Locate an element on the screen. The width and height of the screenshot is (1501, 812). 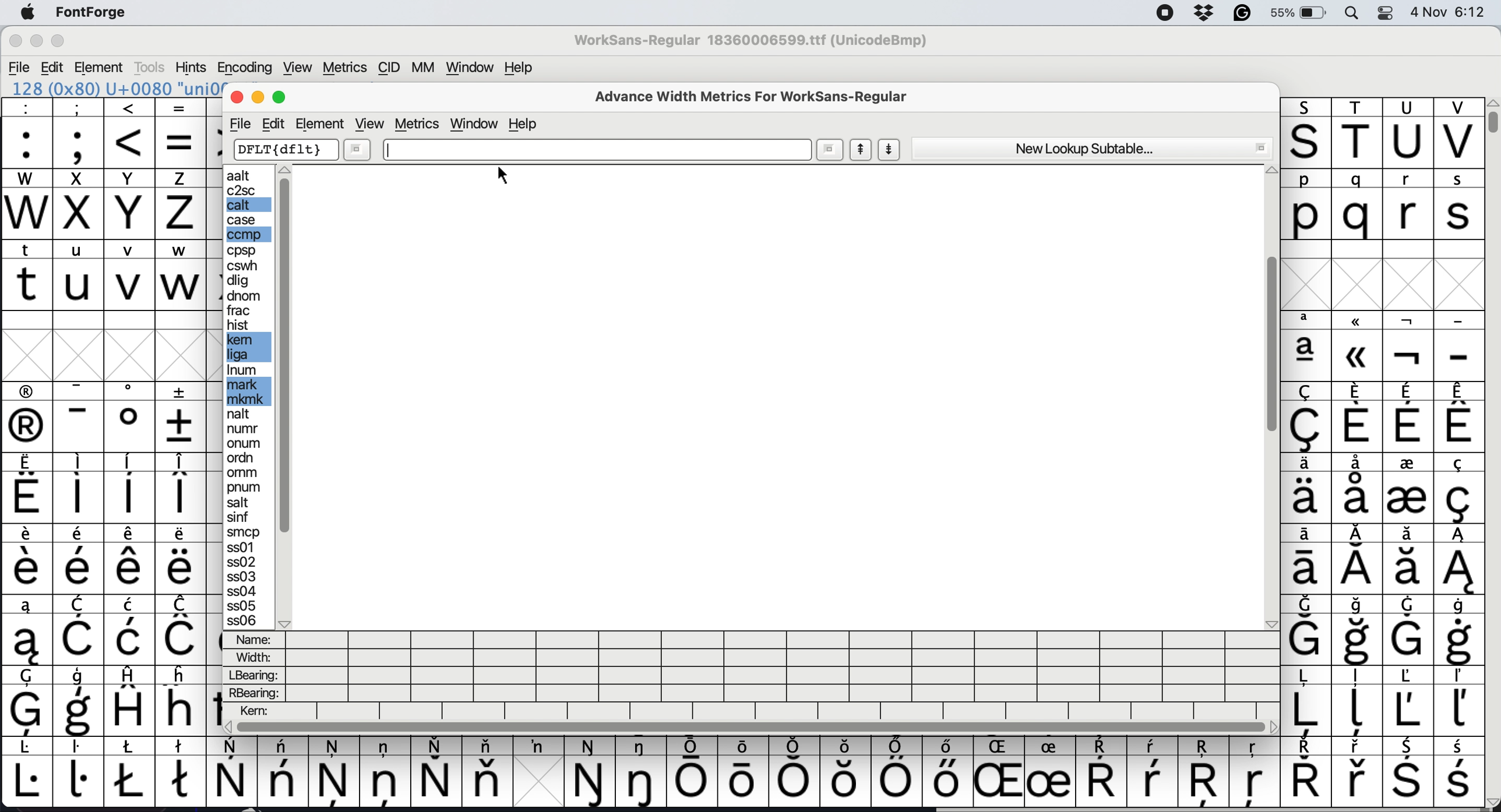
special characters is located at coordinates (1383, 640).